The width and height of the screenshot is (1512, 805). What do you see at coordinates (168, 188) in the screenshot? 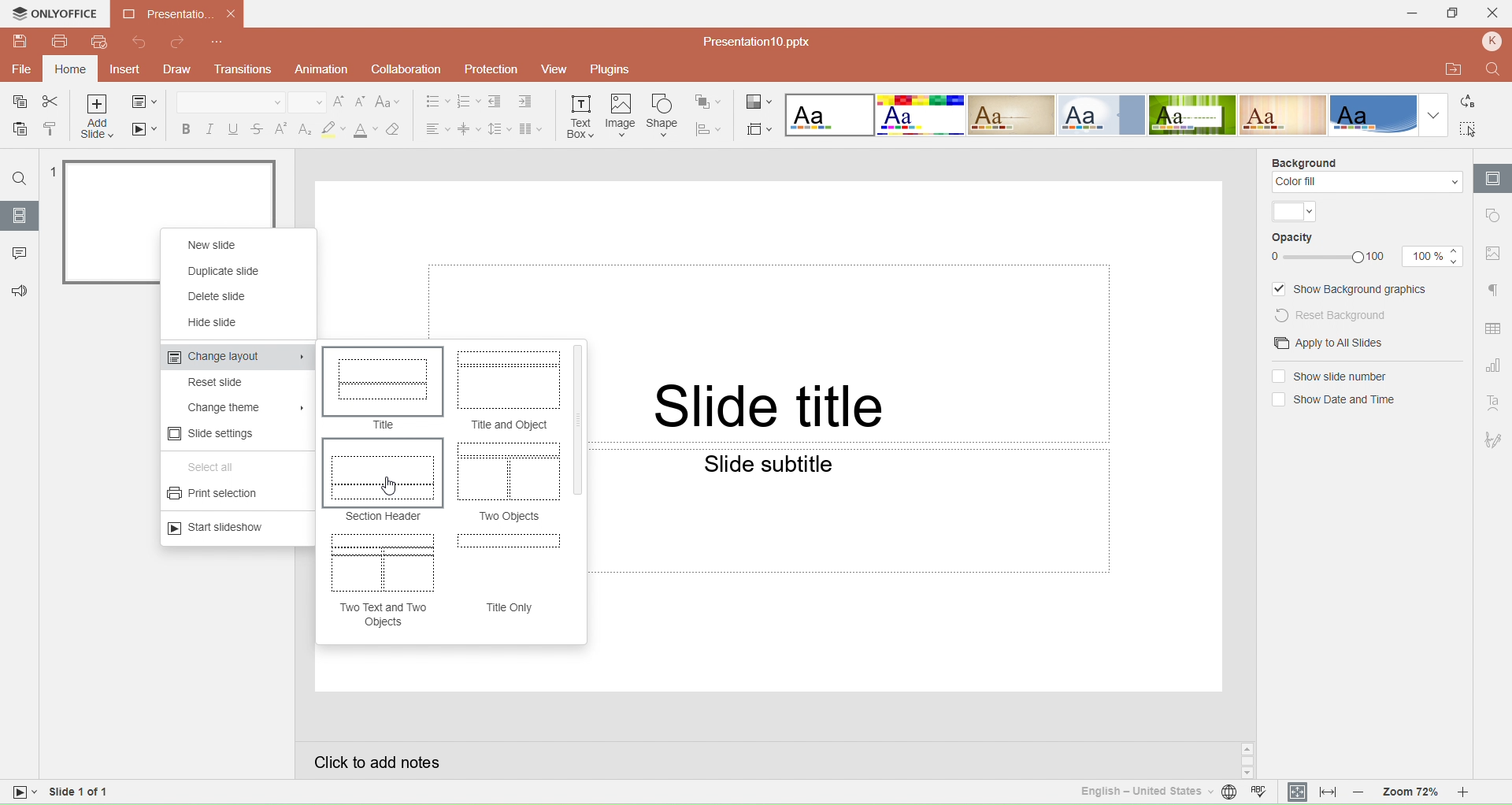
I see `slide` at bounding box center [168, 188].